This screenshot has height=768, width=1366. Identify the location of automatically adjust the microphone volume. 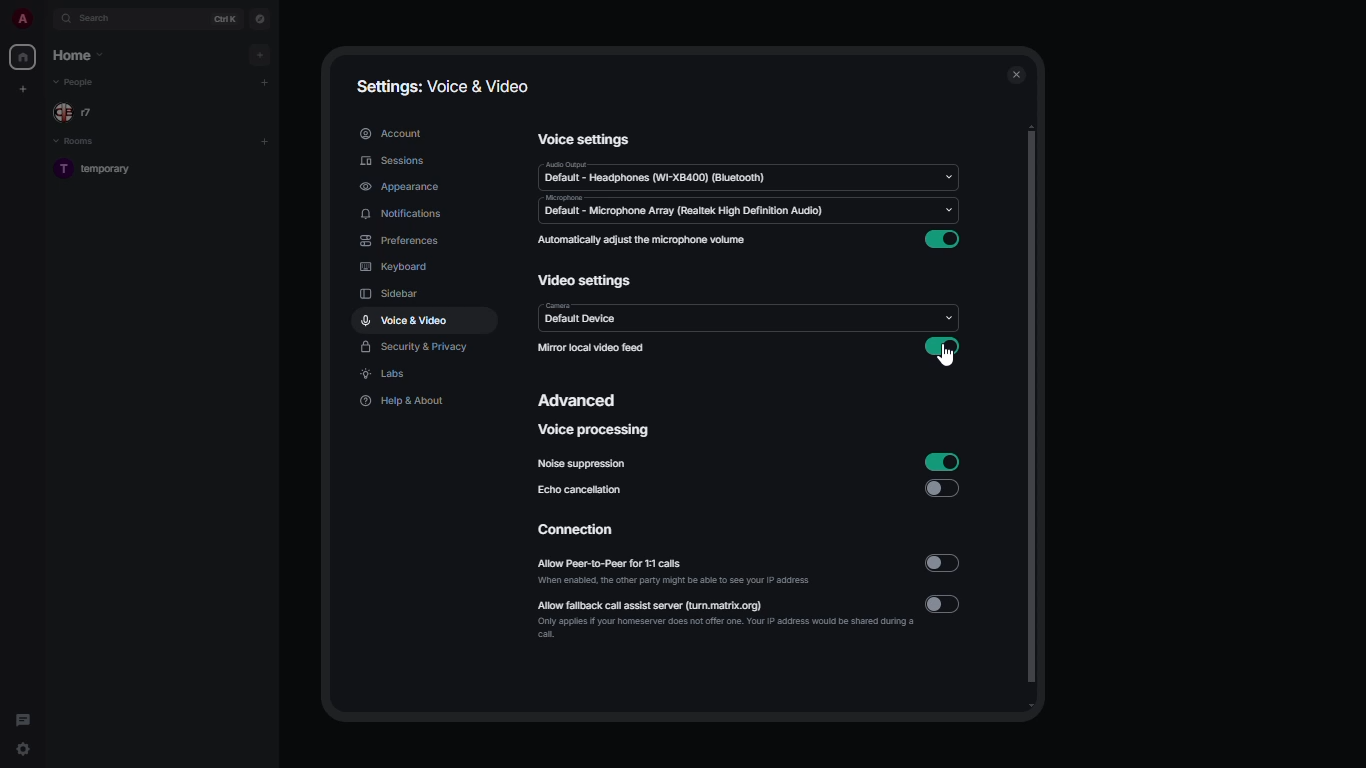
(644, 239).